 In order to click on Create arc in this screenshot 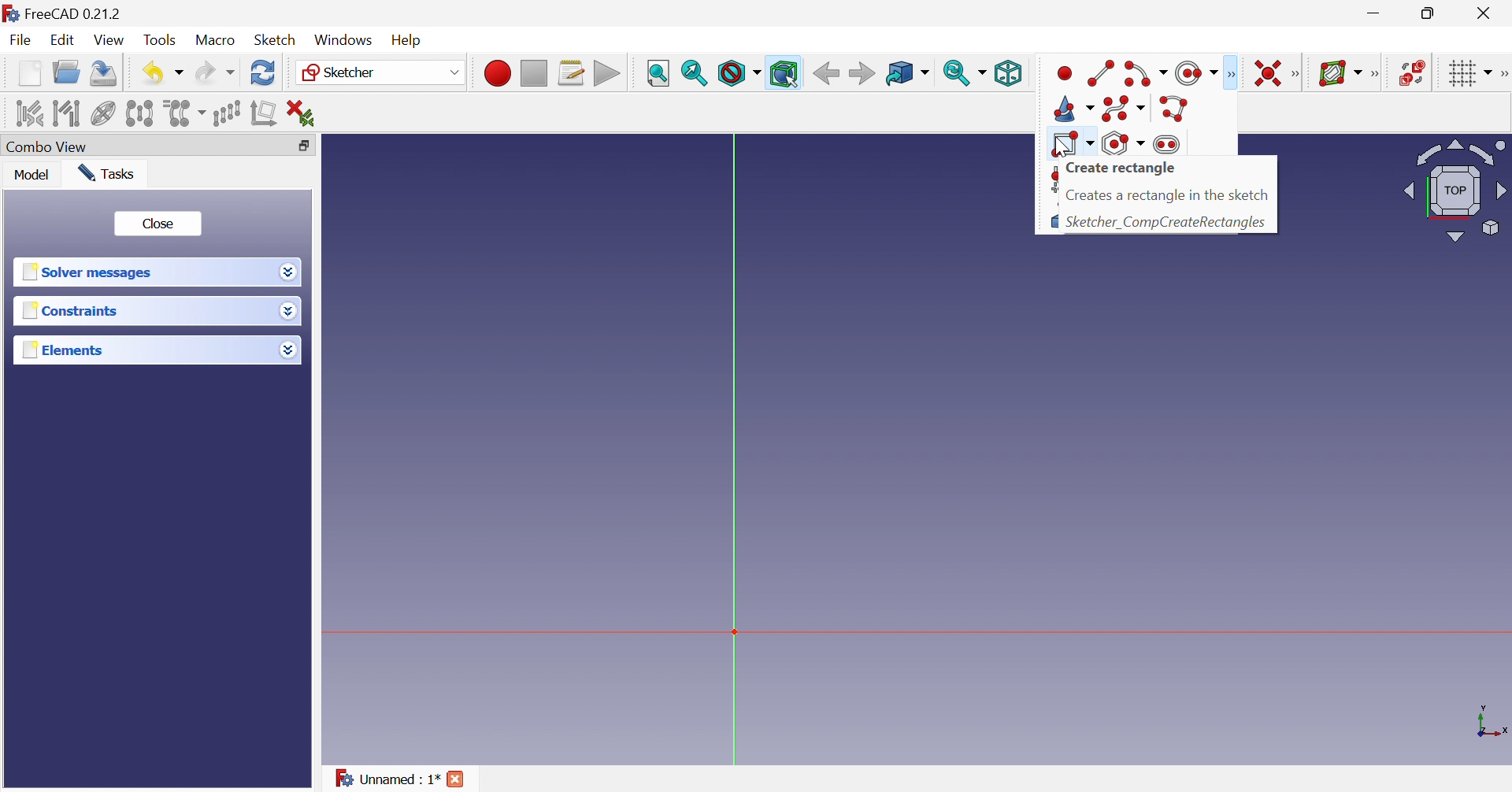, I will do `click(1146, 73)`.